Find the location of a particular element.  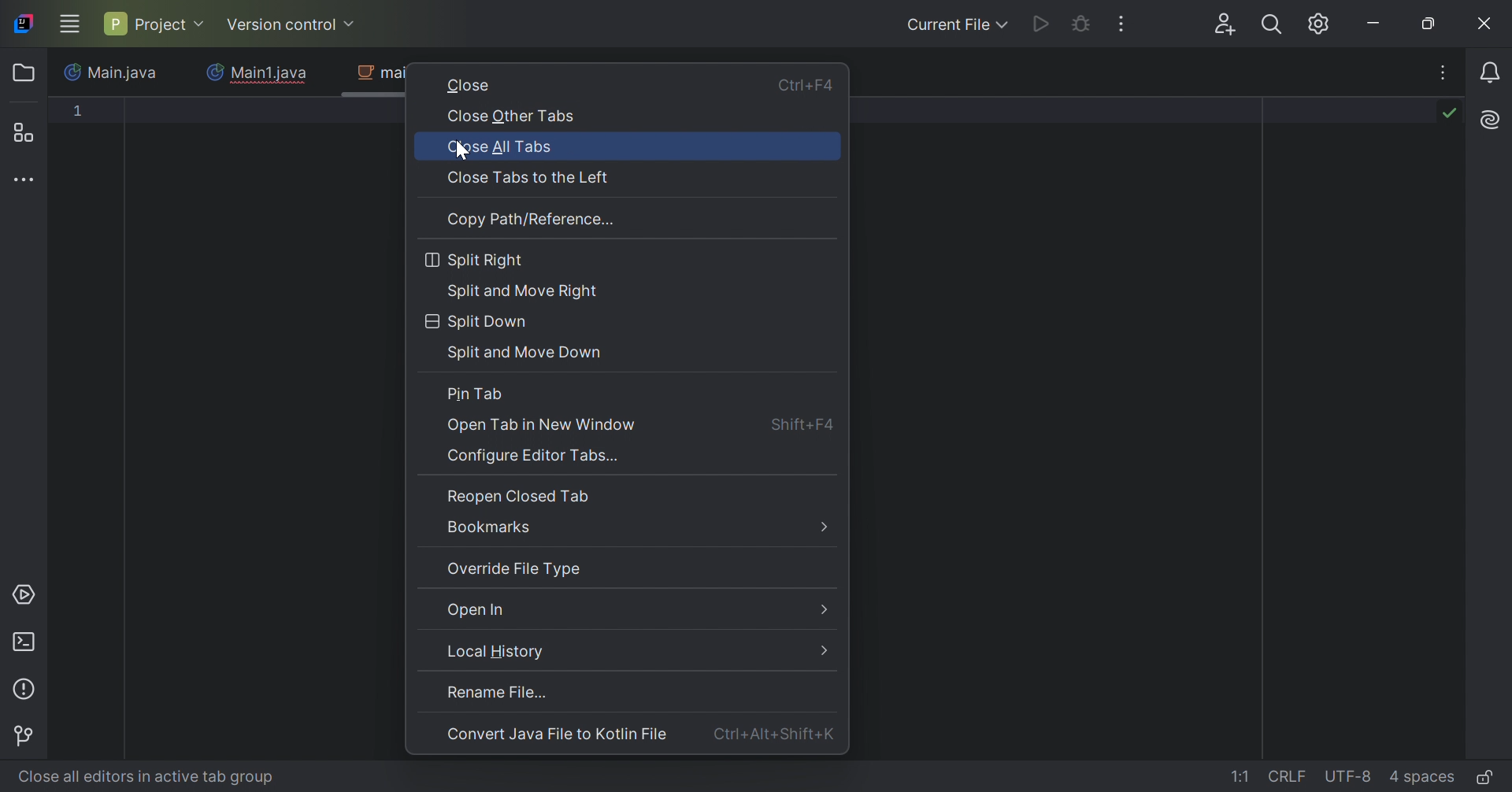

Main Menu is located at coordinates (69, 24).